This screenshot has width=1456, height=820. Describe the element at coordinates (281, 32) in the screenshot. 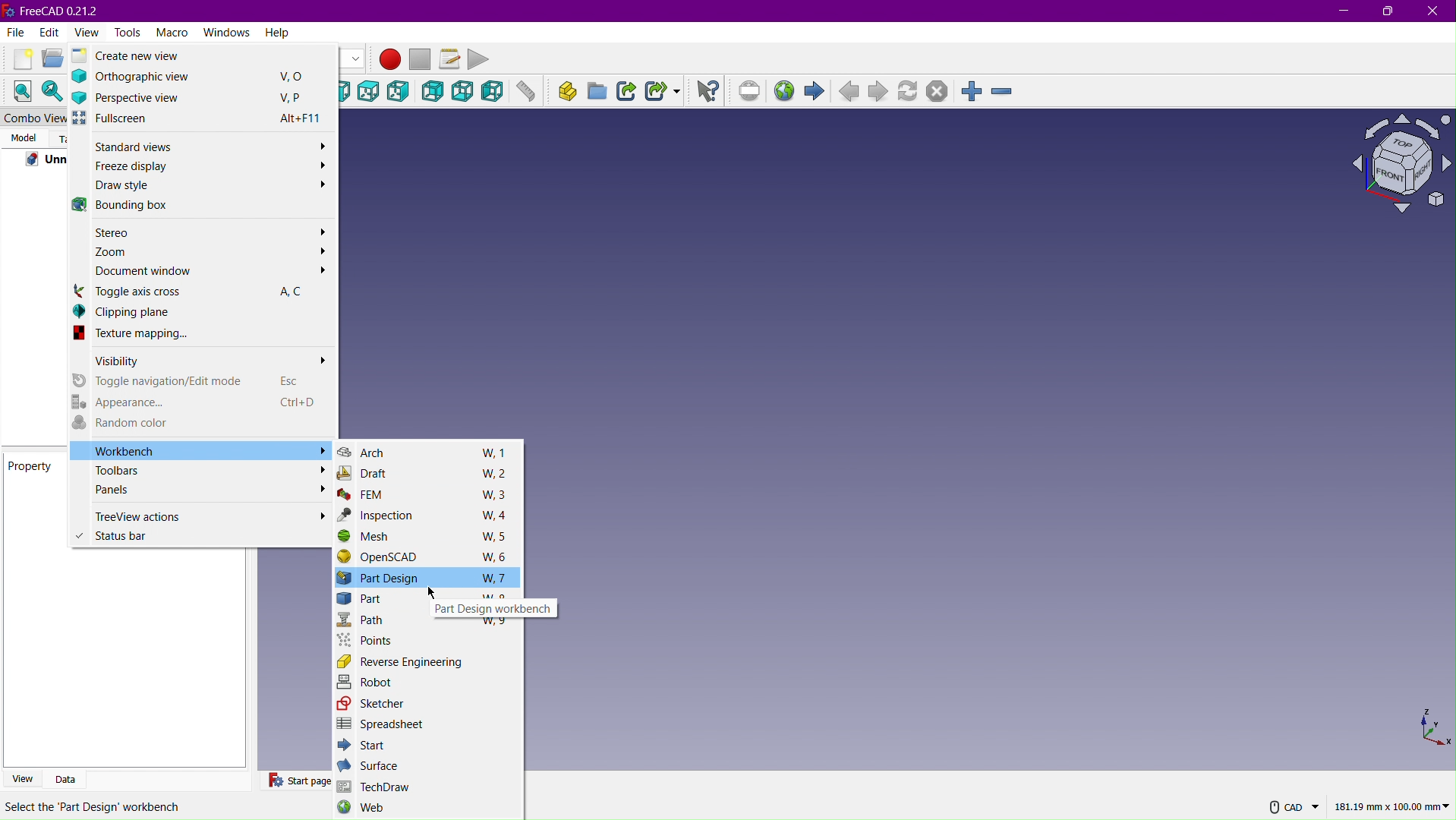

I see `Help` at that location.